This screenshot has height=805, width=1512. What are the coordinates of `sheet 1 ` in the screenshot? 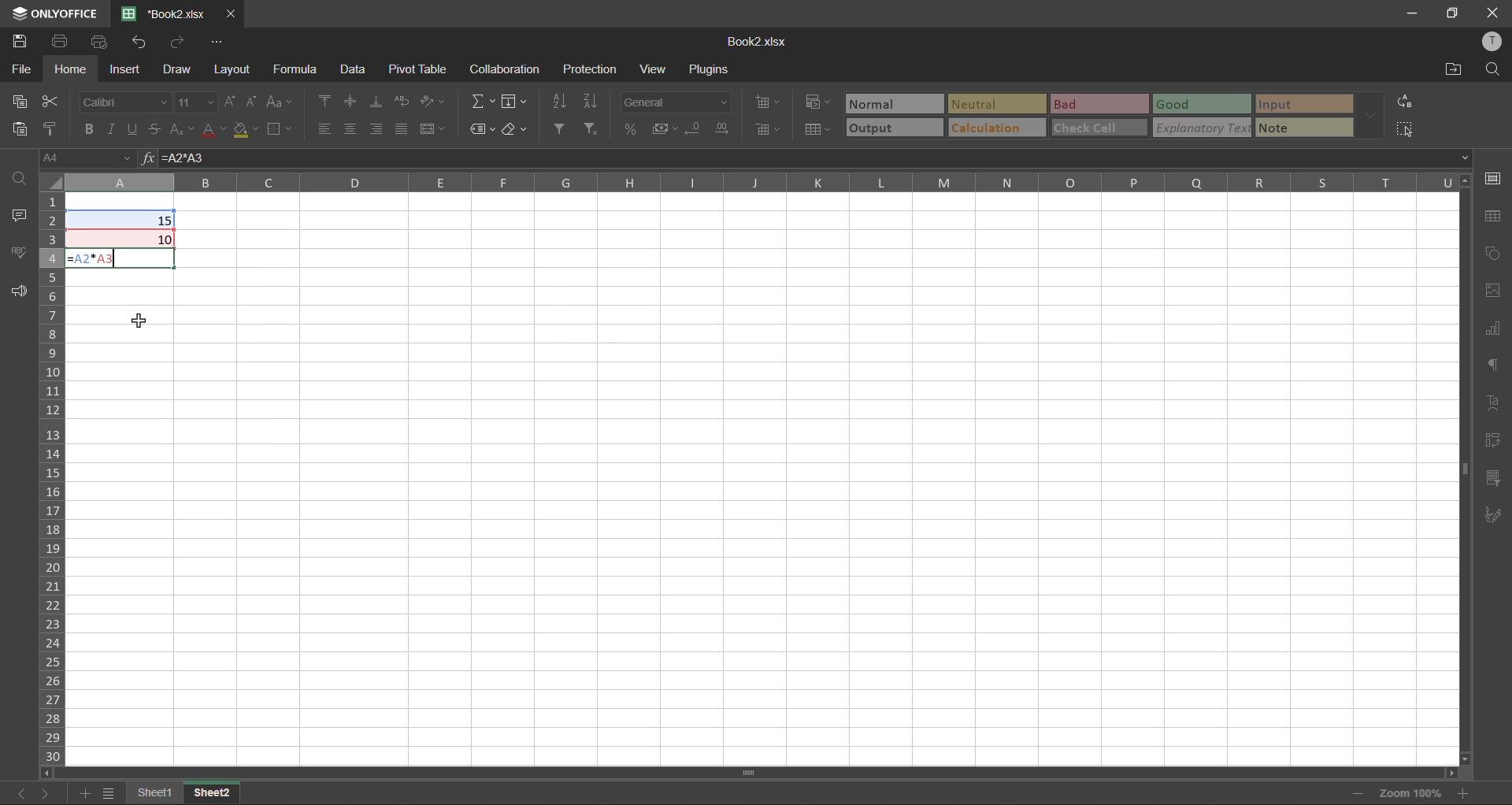 It's located at (148, 793).